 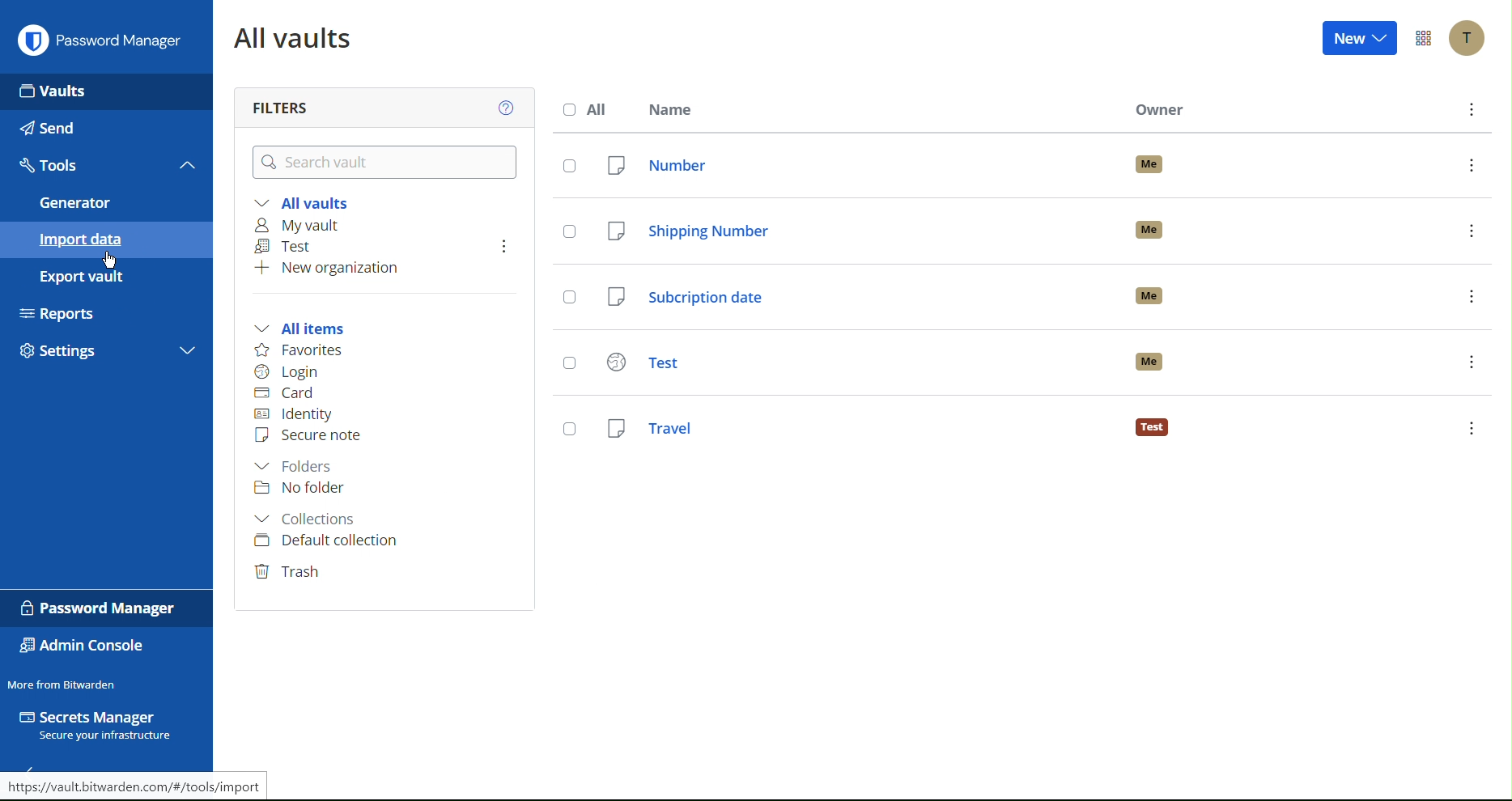 I want to click on select entry, so click(x=567, y=165).